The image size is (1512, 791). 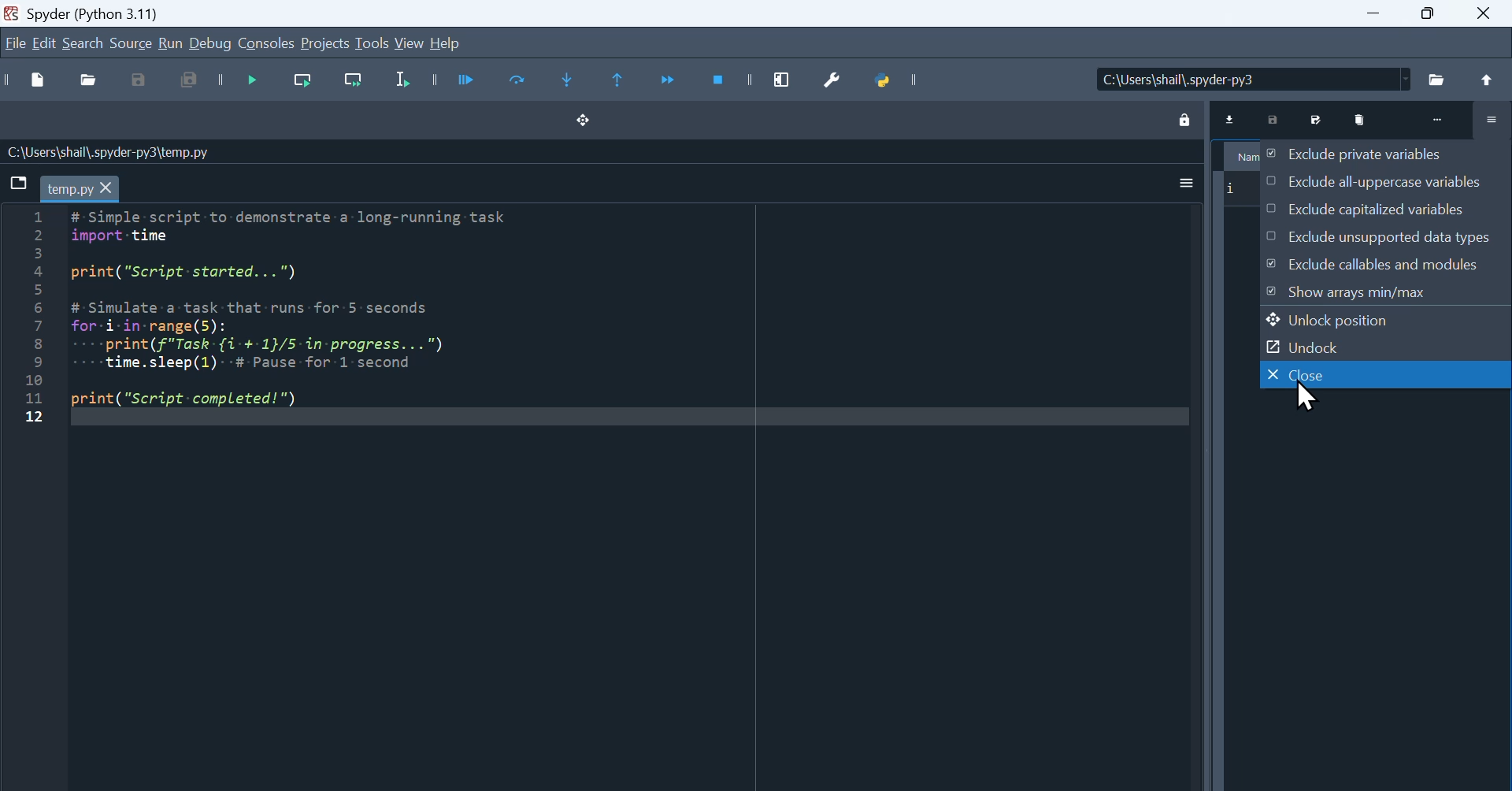 What do you see at coordinates (326, 42) in the screenshot?
I see `Projects` at bounding box center [326, 42].